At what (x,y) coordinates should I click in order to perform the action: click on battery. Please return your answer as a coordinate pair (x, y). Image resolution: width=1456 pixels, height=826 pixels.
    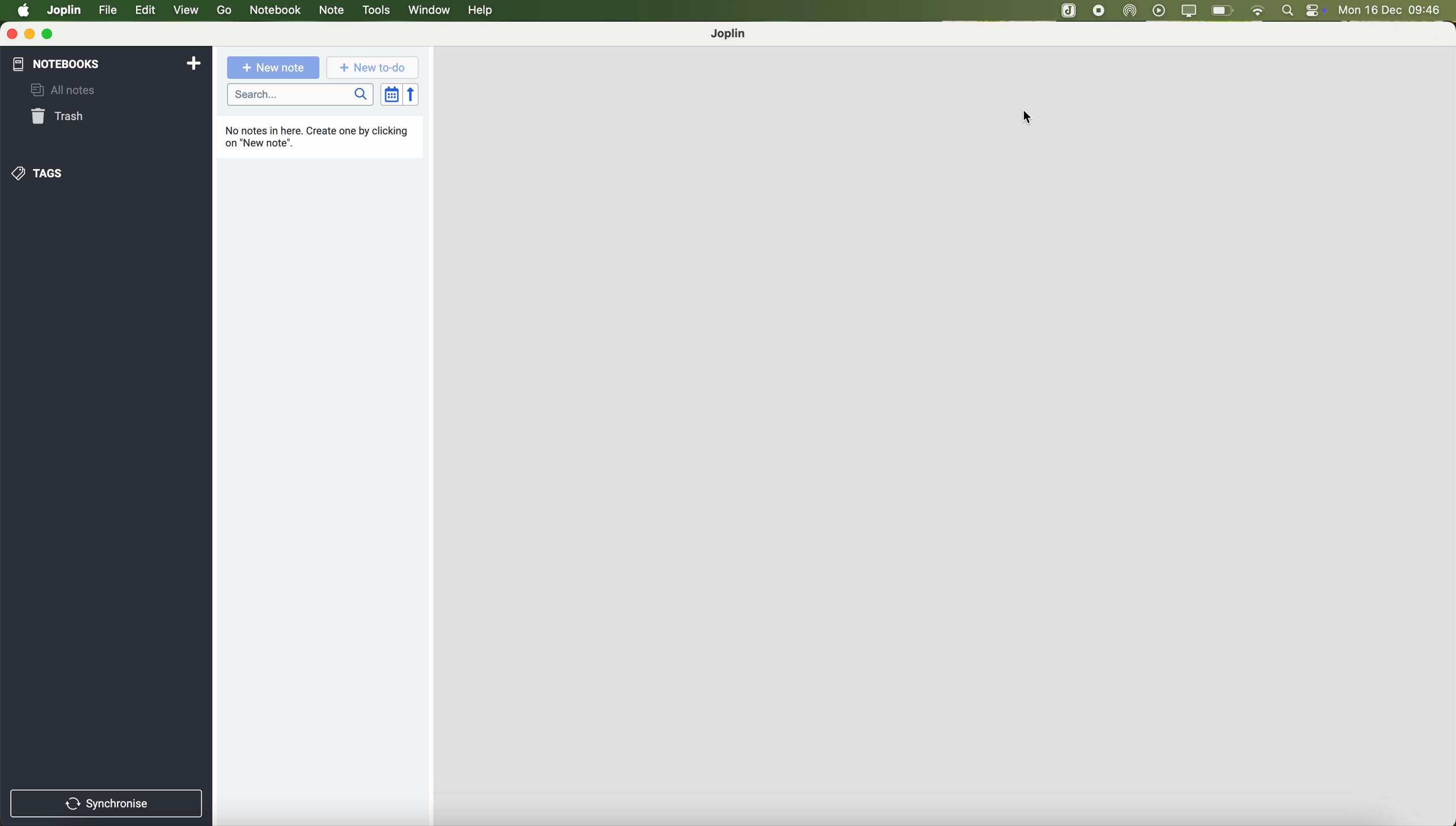
    Looking at the image, I should click on (1223, 10).